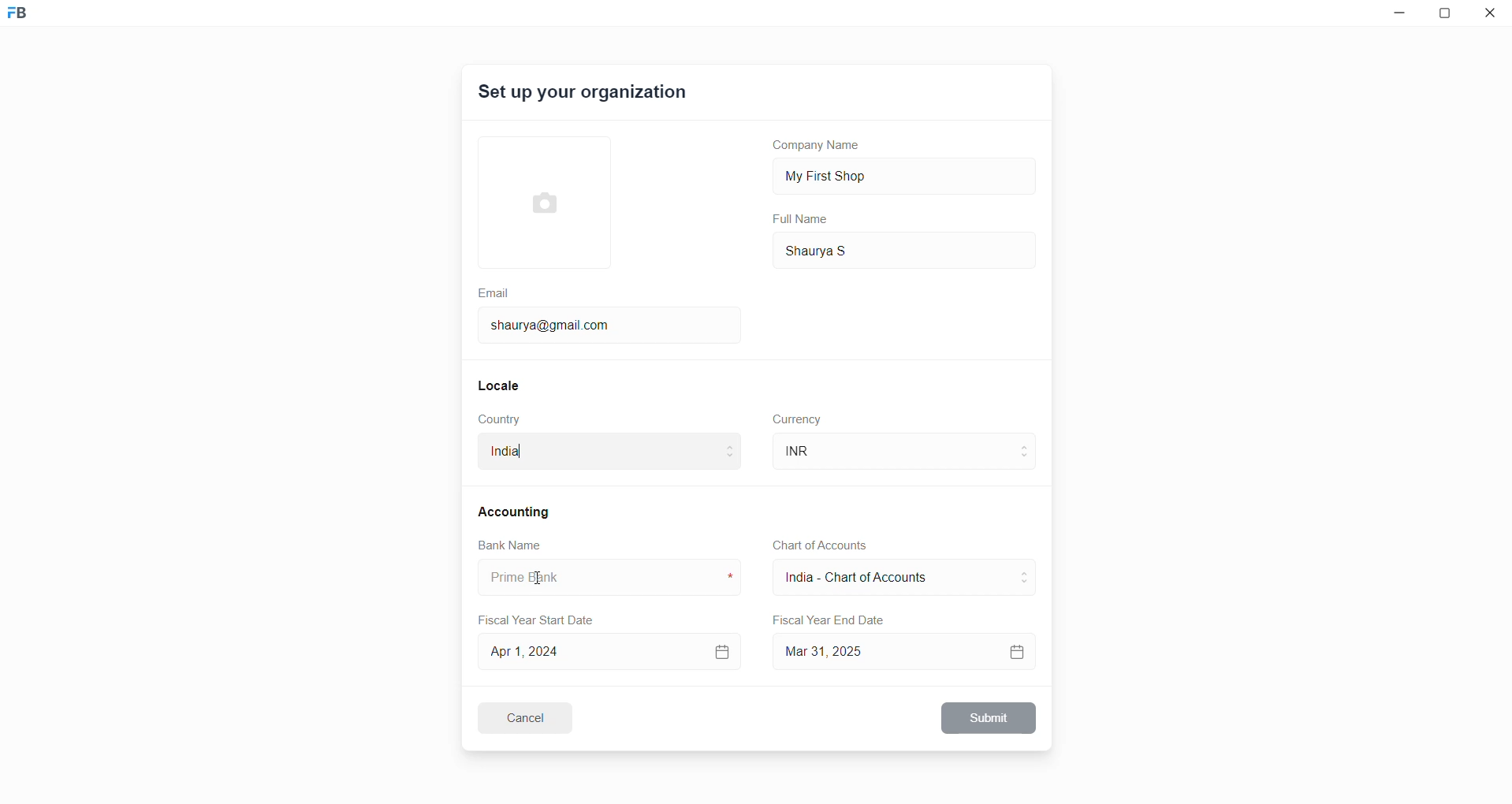 The height and width of the screenshot is (804, 1512). What do you see at coordinates (851, 174) in the screenshot?
I see `My First Shop` at bounding box center [851, 174].